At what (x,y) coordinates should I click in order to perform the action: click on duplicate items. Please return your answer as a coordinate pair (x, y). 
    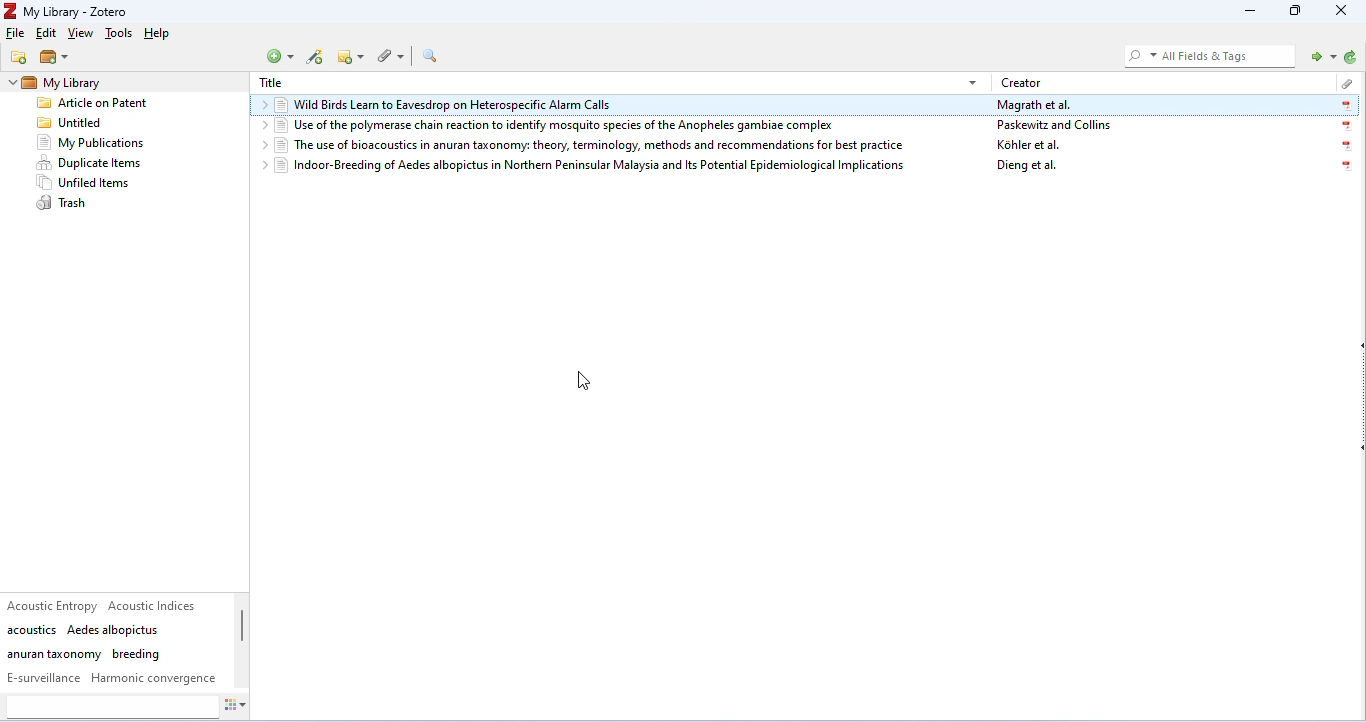
    Looking at the image, I should click on (90, 163).